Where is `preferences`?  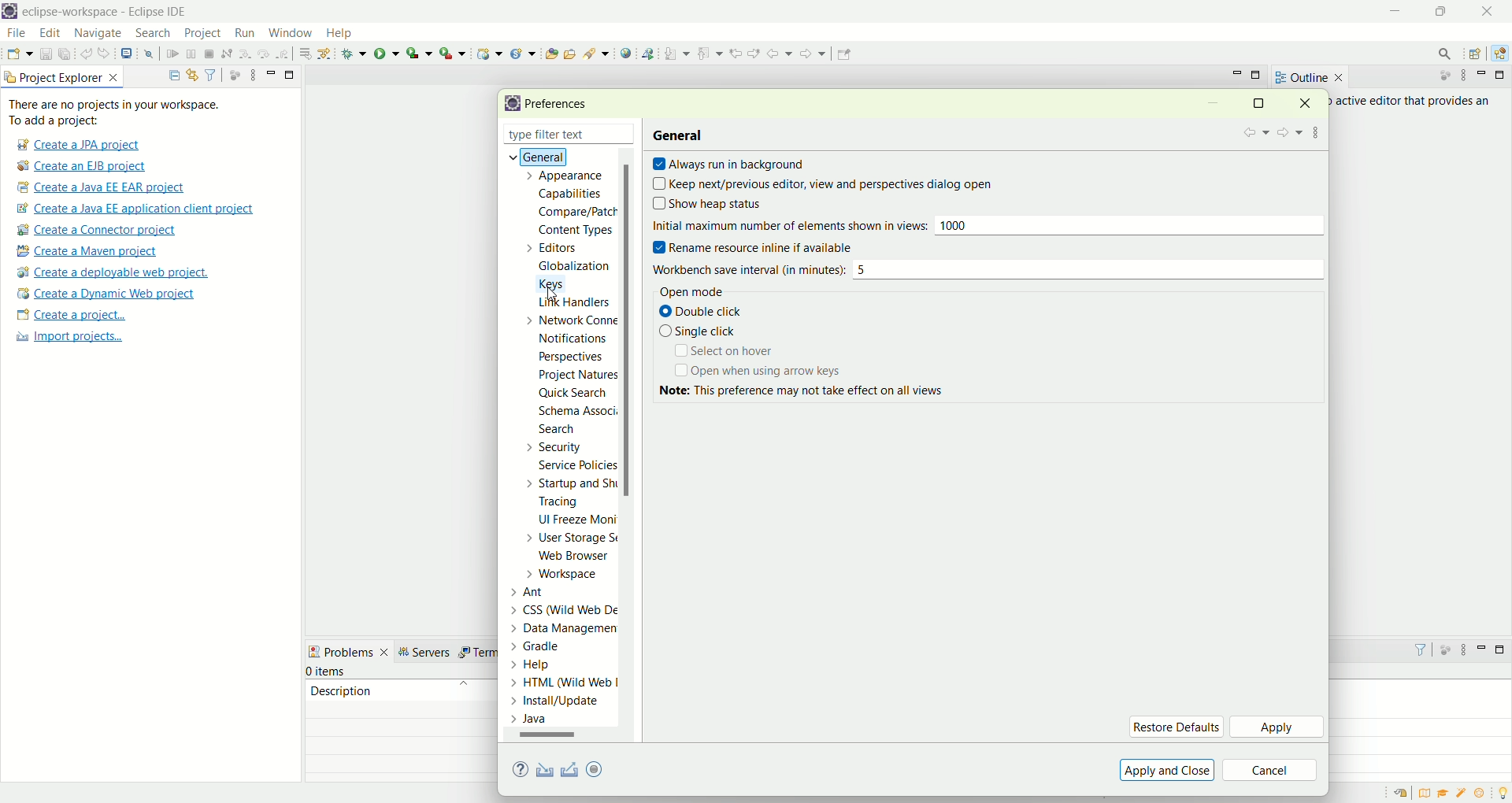 preferences is located at coordinates (561, 105).